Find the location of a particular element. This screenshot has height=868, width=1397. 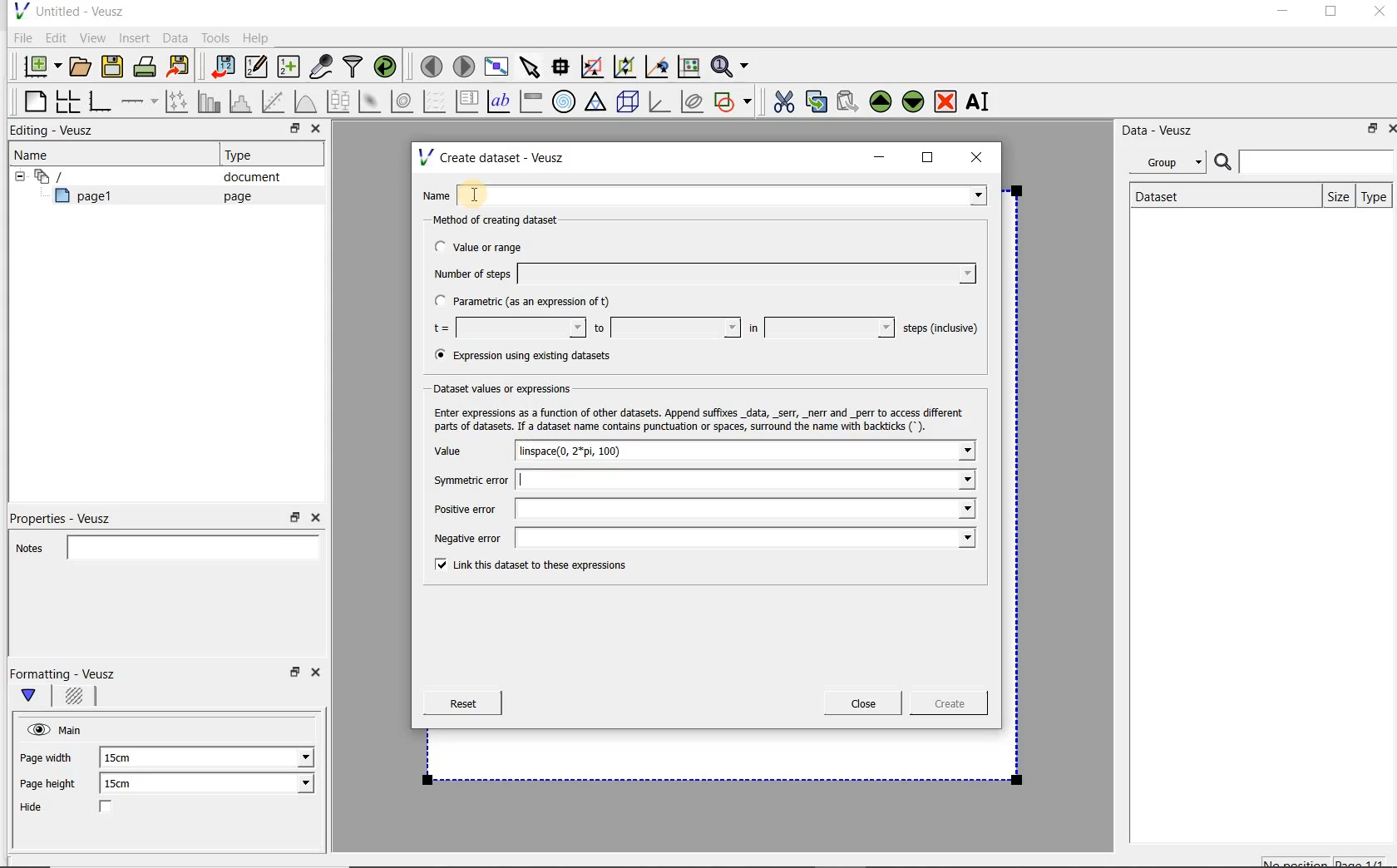

Plot points with lines and error bars is located at coordinates (178, 101).